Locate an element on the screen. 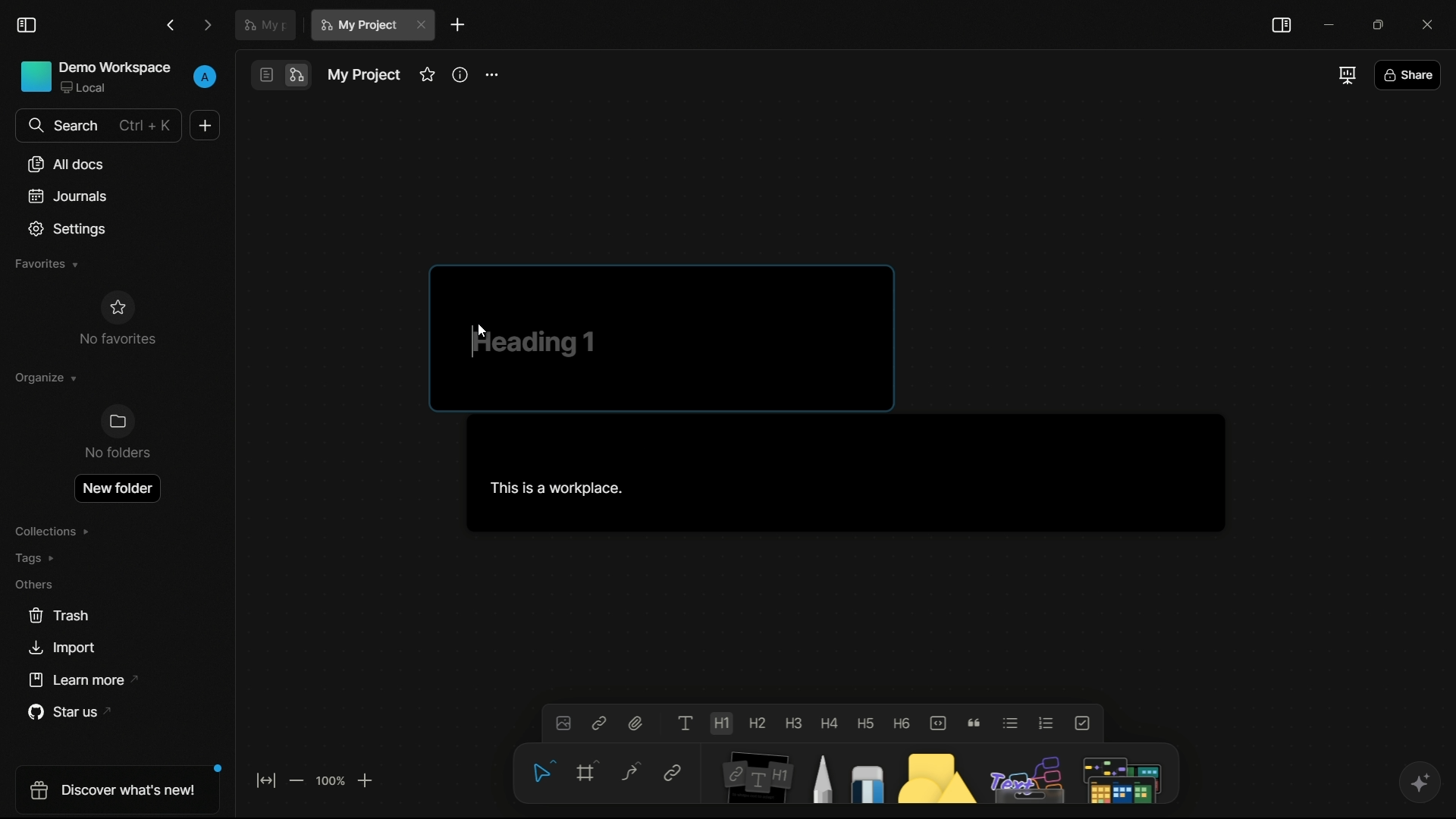 The height and width of the screenshot is (819, 1456). new document is located at coordinates (458, 26).